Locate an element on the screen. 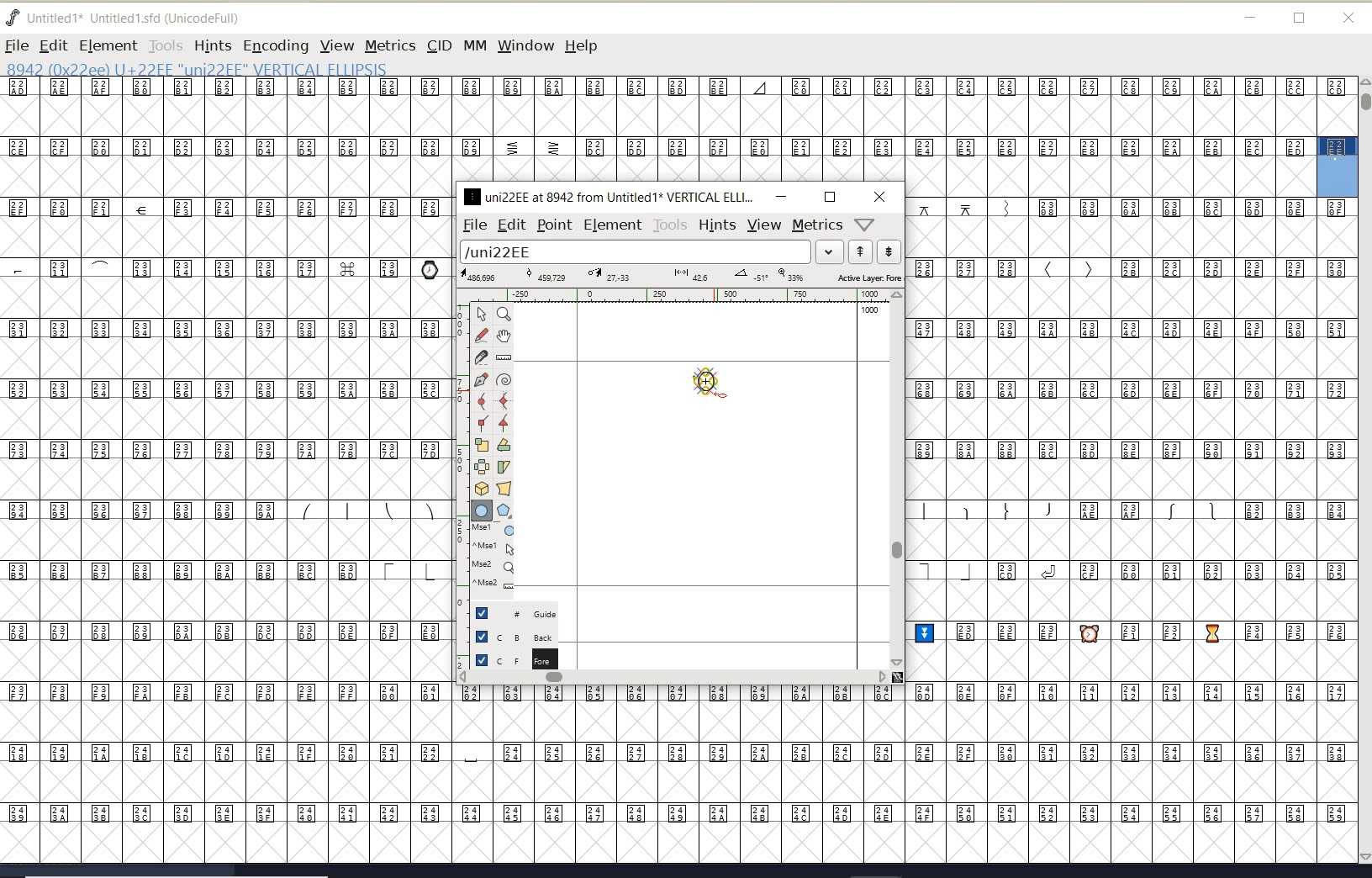 This screenshot has width=1372, height=878. draw a freehand curve is located at coordinates (483, 335).